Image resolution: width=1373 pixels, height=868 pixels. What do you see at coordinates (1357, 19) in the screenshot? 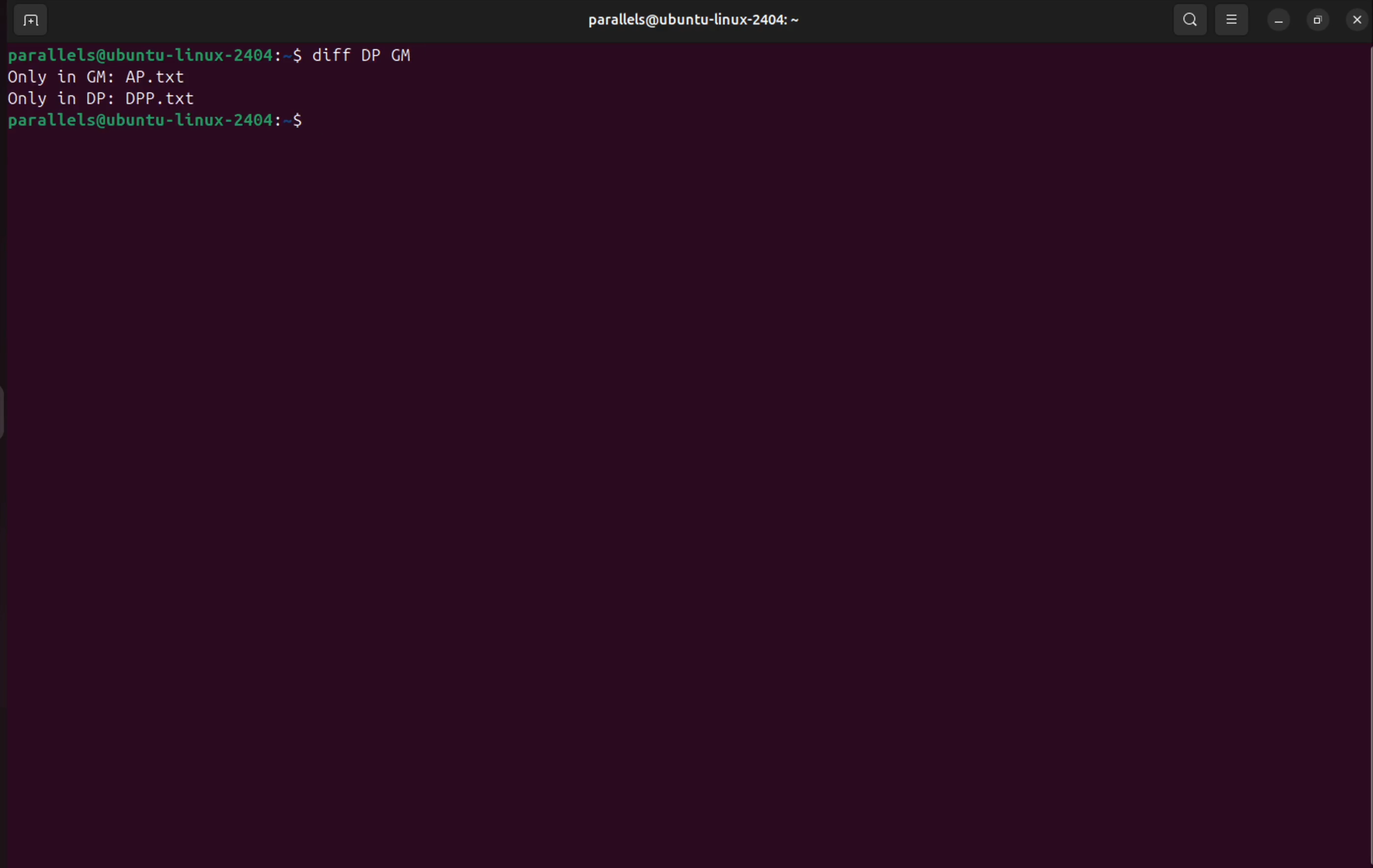
I see `close` at bounding box center [1357, 19].